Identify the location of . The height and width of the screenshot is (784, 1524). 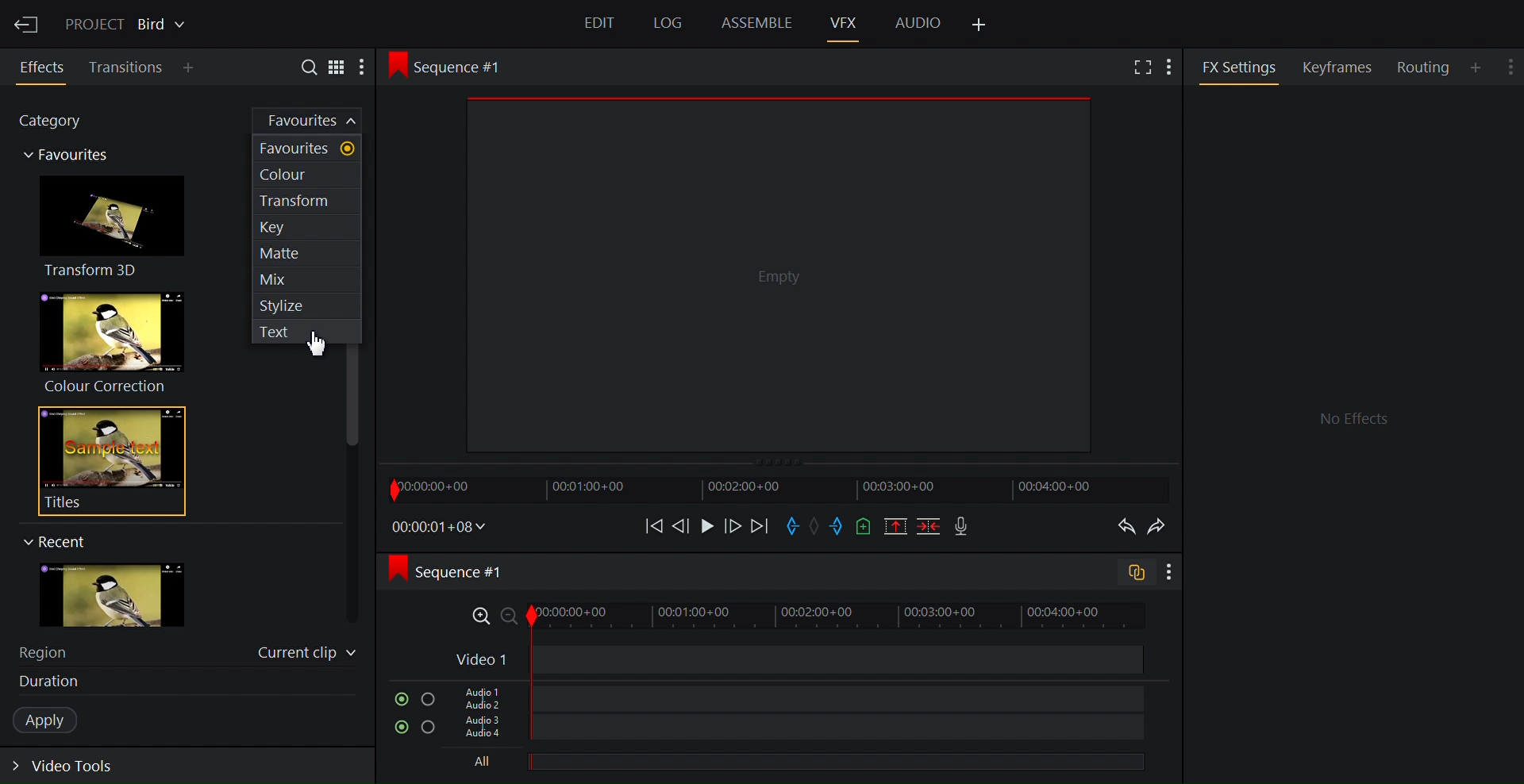
(54, 681).